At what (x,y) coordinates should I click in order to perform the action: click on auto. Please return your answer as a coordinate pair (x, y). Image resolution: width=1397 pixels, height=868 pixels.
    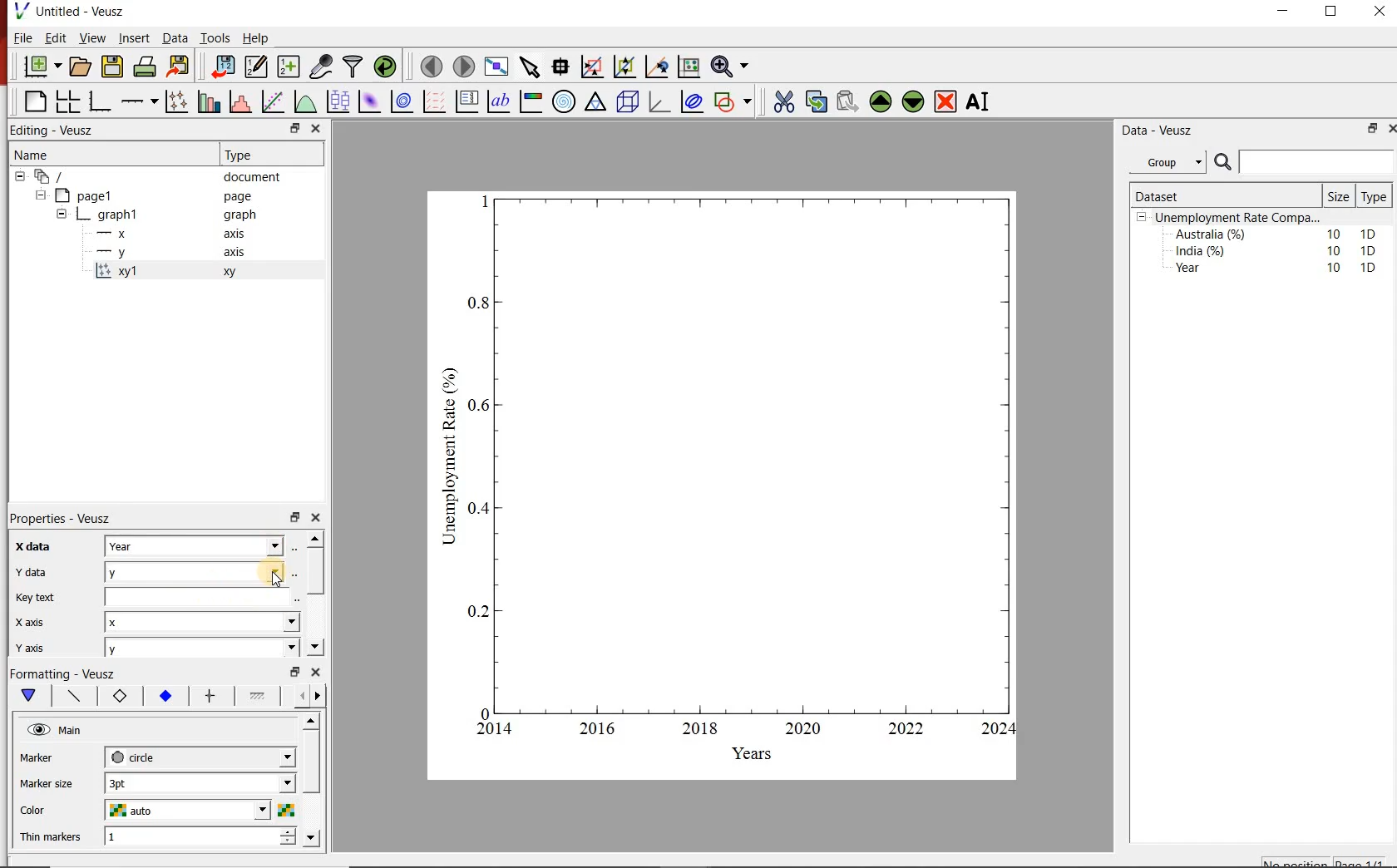
    Looking at the image, I should click on (190, 811).